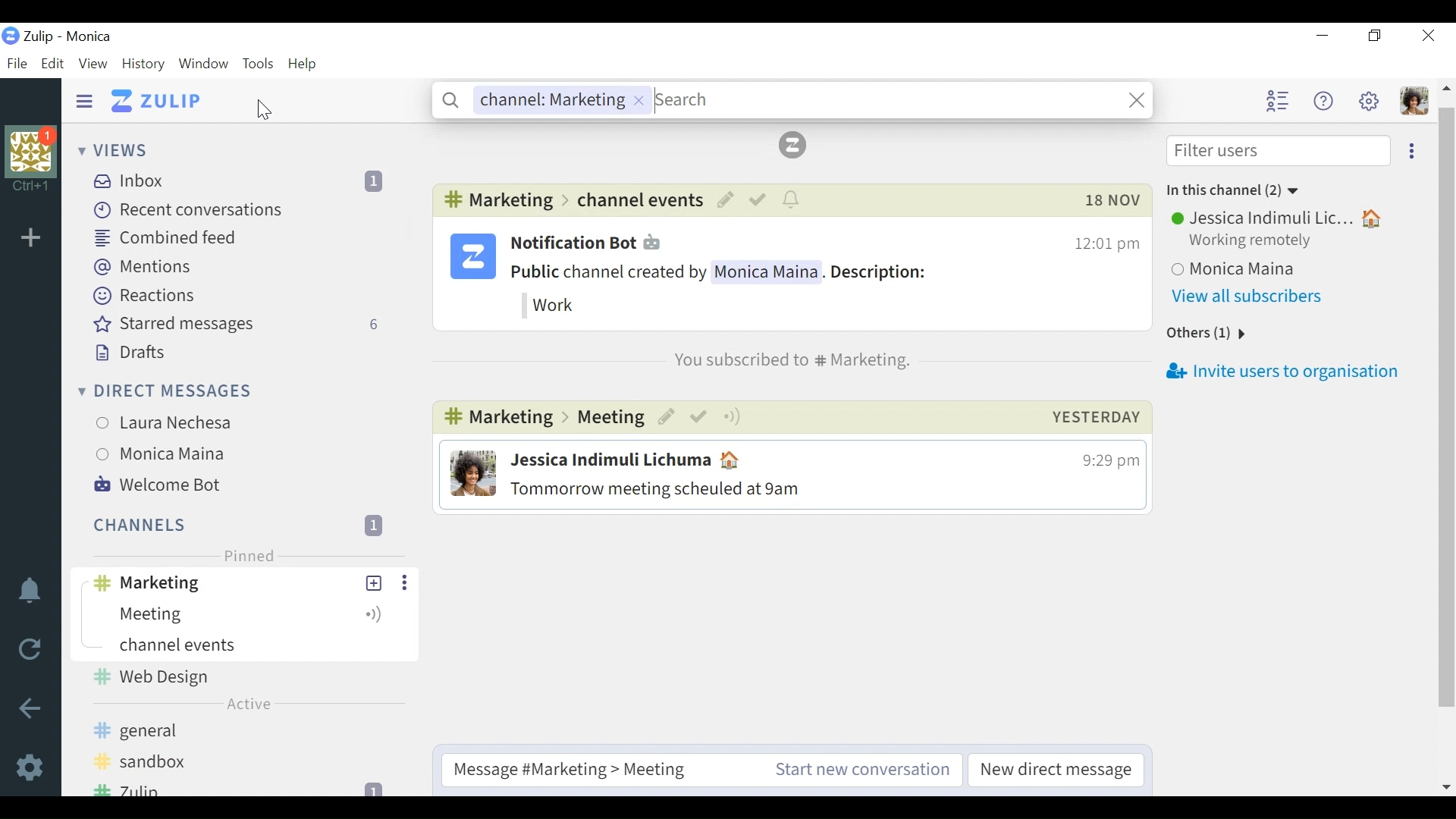  I want to click on Views dropdown, so click(116, 151).